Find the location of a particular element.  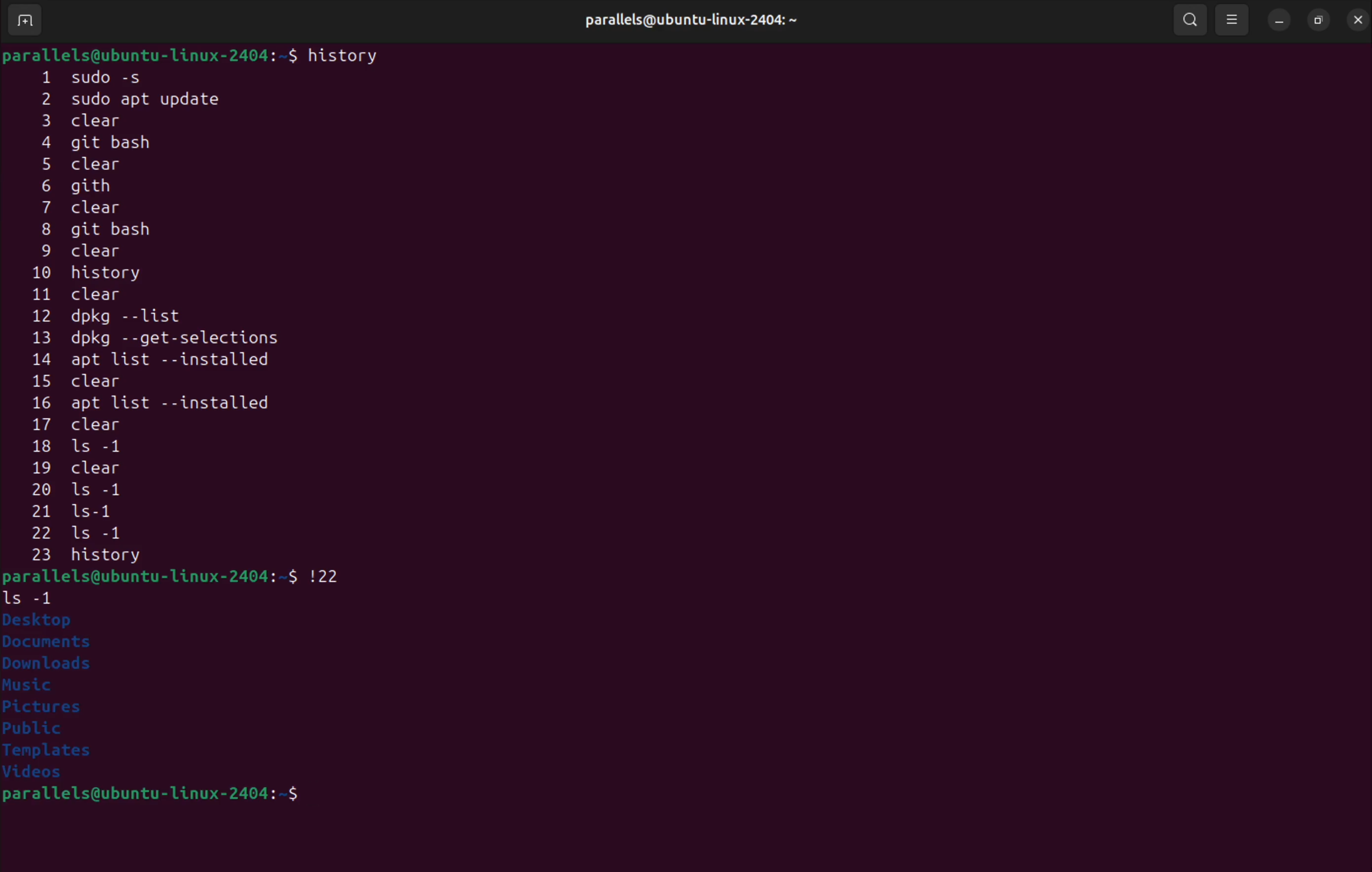

bash prompt is located at coordinates (150, 576).